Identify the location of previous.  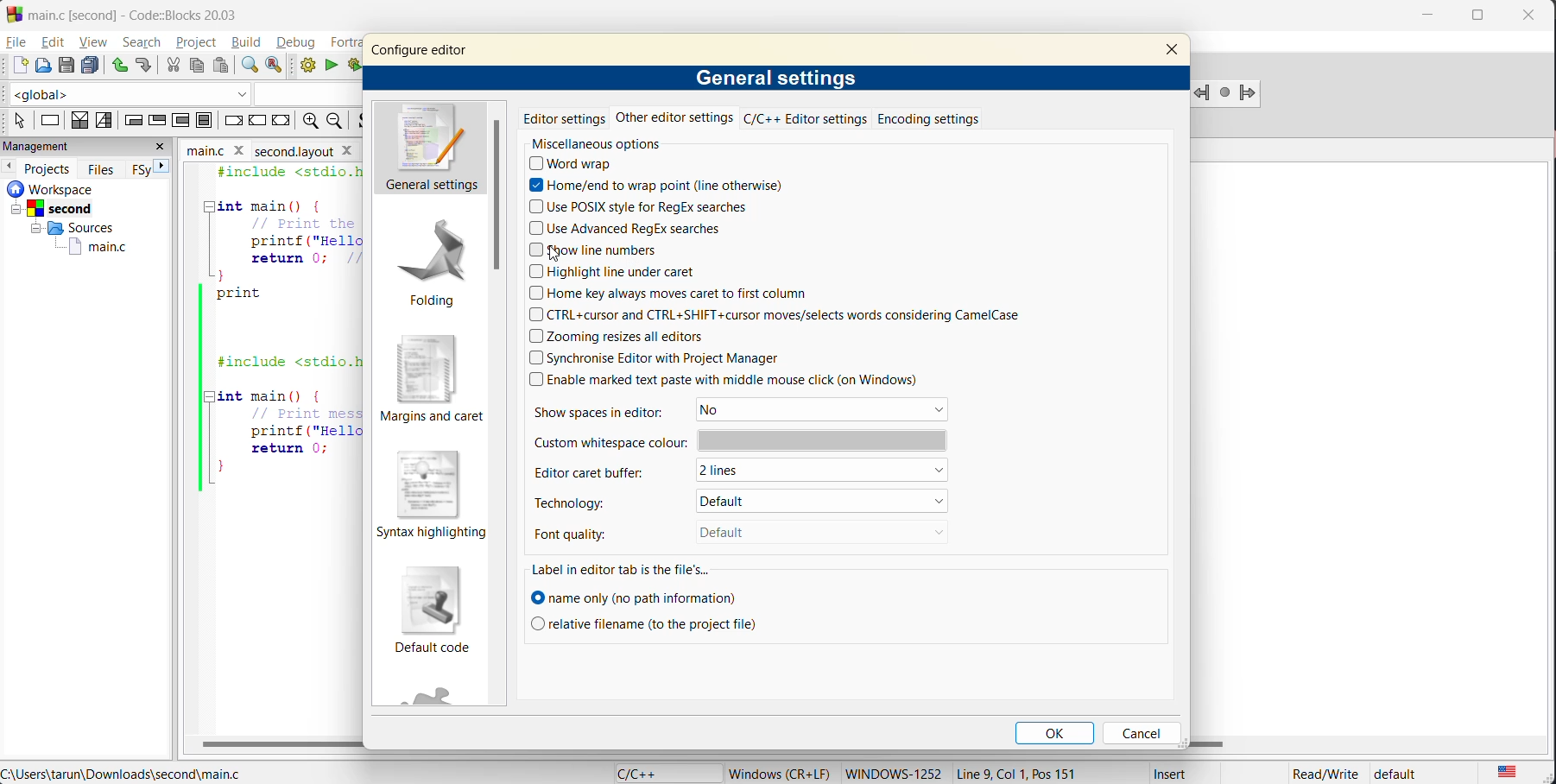
(10, 166).